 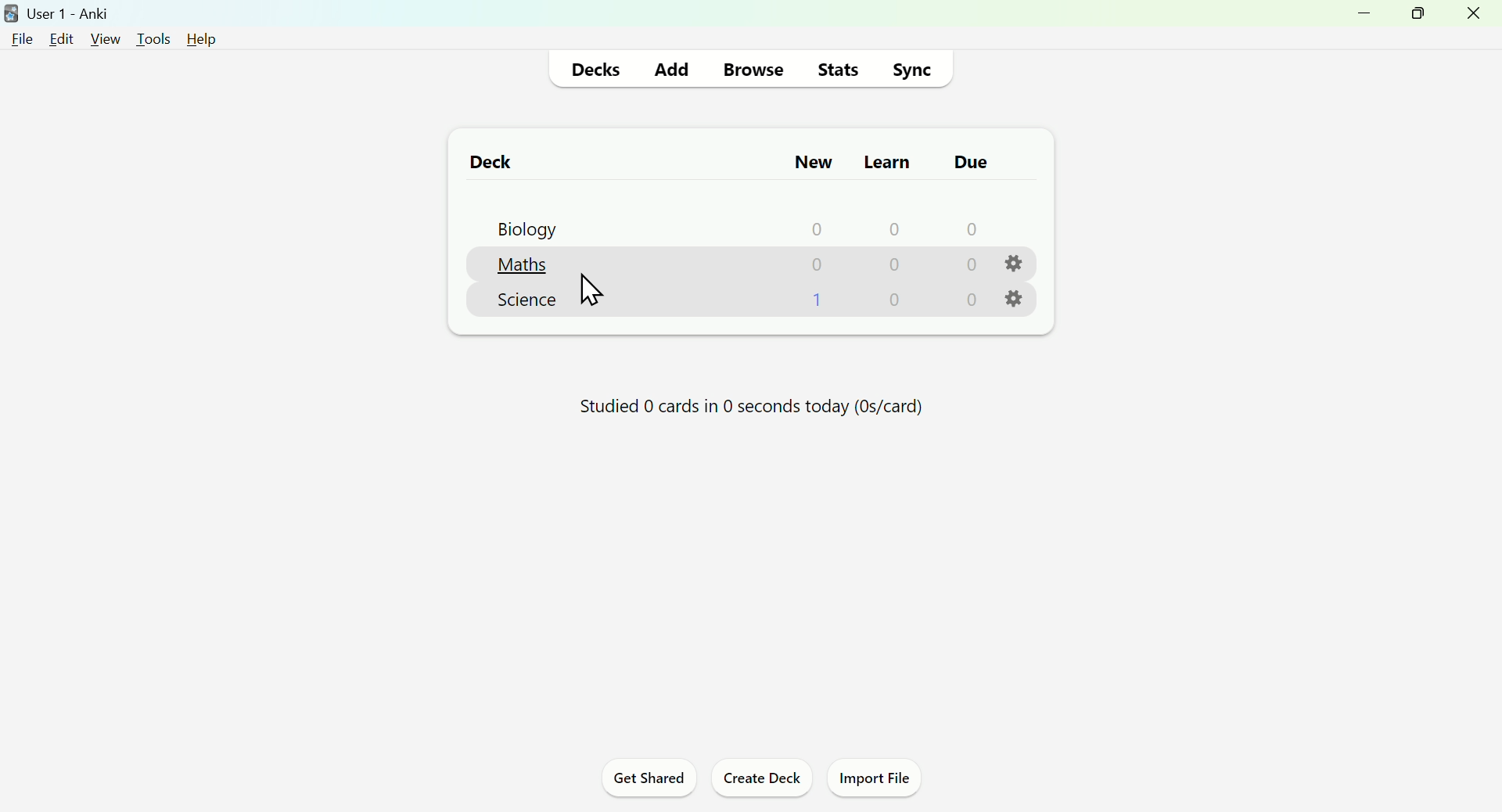 I want to click on help, so click(x=204, y=41).